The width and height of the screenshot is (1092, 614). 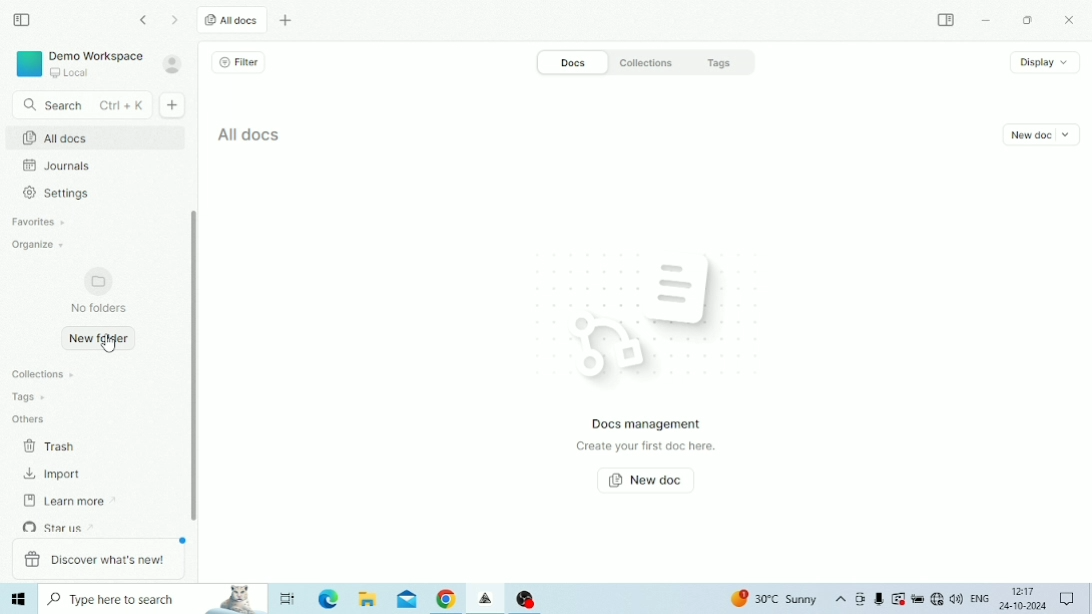 What do you see at coordinates (936, 599) in the screenshot?
I see `Internet` at bounding box center [936, 599].